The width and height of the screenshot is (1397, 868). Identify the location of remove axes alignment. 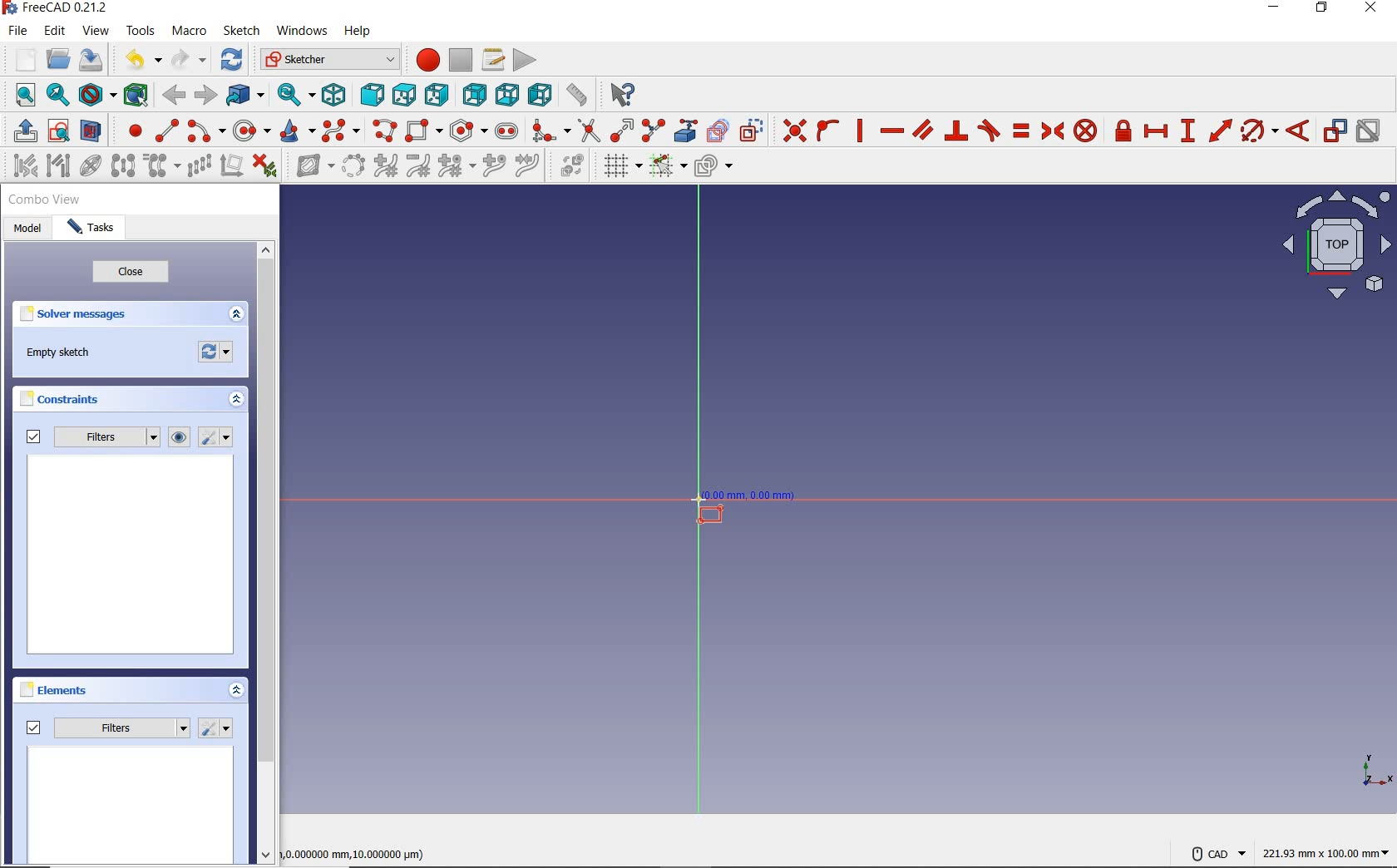
(231, 167).